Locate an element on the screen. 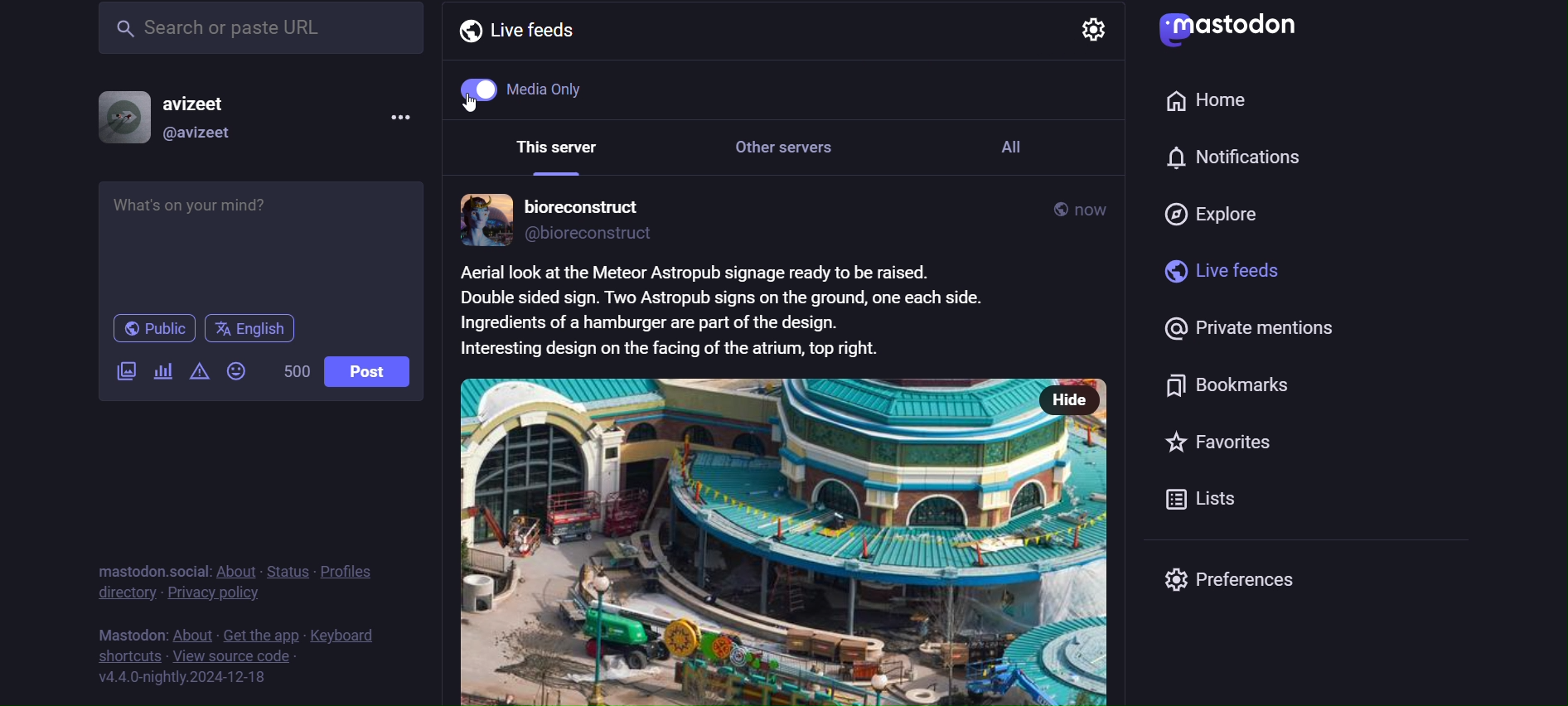 This screenshot has height=706, width=1568. bioreconstruct is located at coordinates (587, 206).